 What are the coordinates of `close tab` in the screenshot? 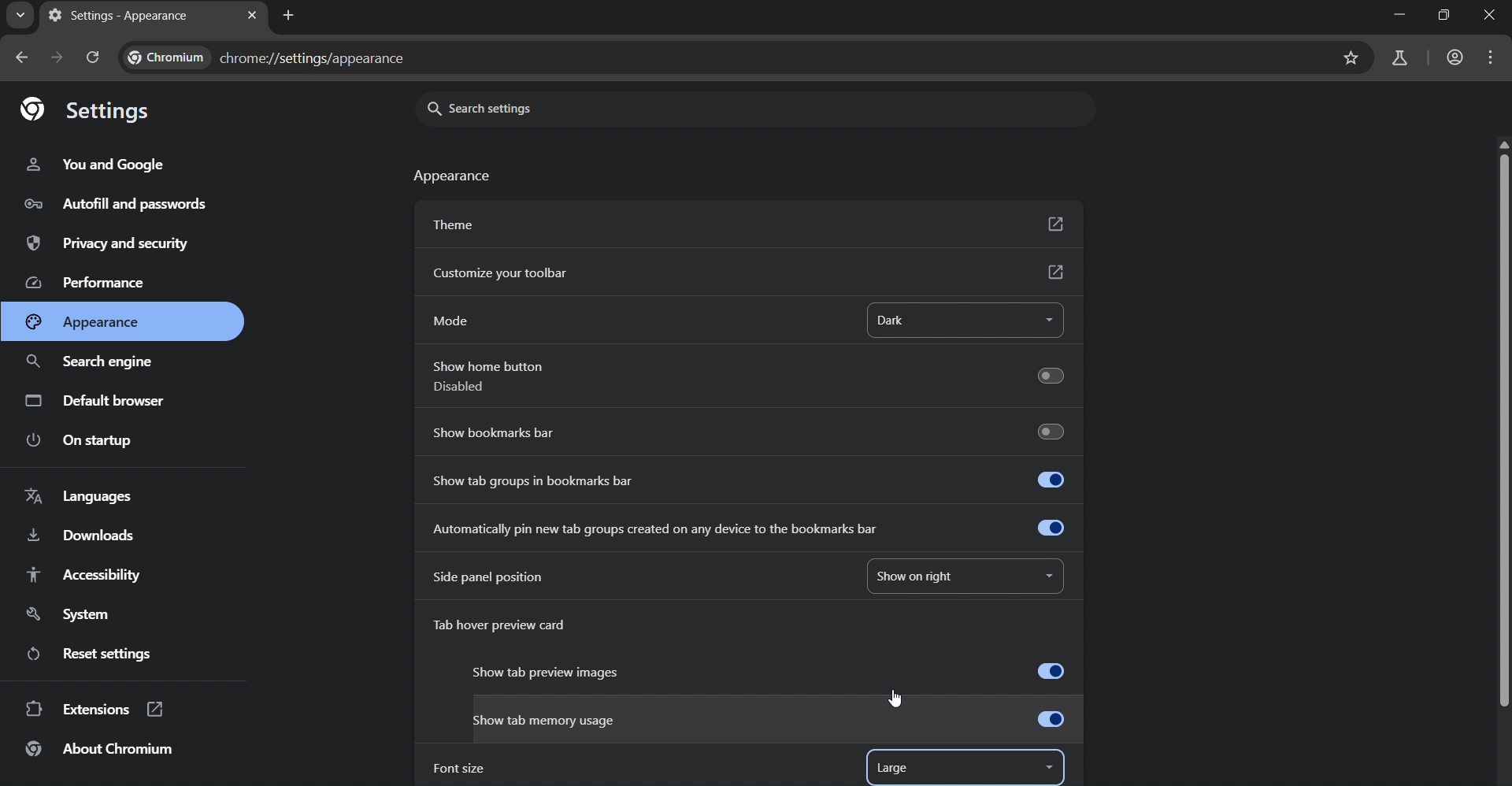 It's located at (252, 15).